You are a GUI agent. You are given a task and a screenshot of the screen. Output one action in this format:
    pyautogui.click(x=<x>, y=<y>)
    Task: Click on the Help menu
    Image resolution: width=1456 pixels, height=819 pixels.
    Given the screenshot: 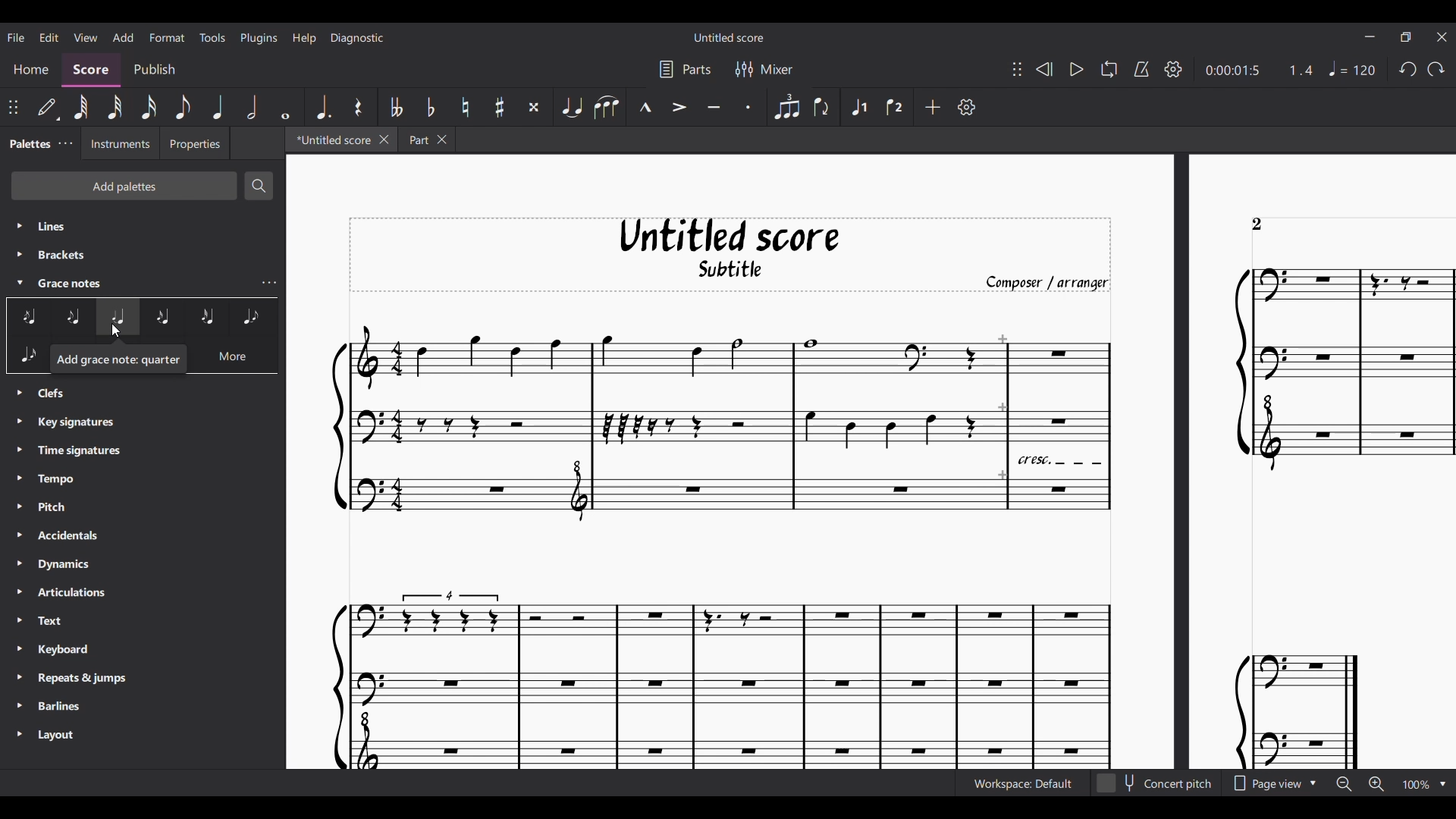 What is the action you would take?
    pyautogui.click(x=305, y=38)
    